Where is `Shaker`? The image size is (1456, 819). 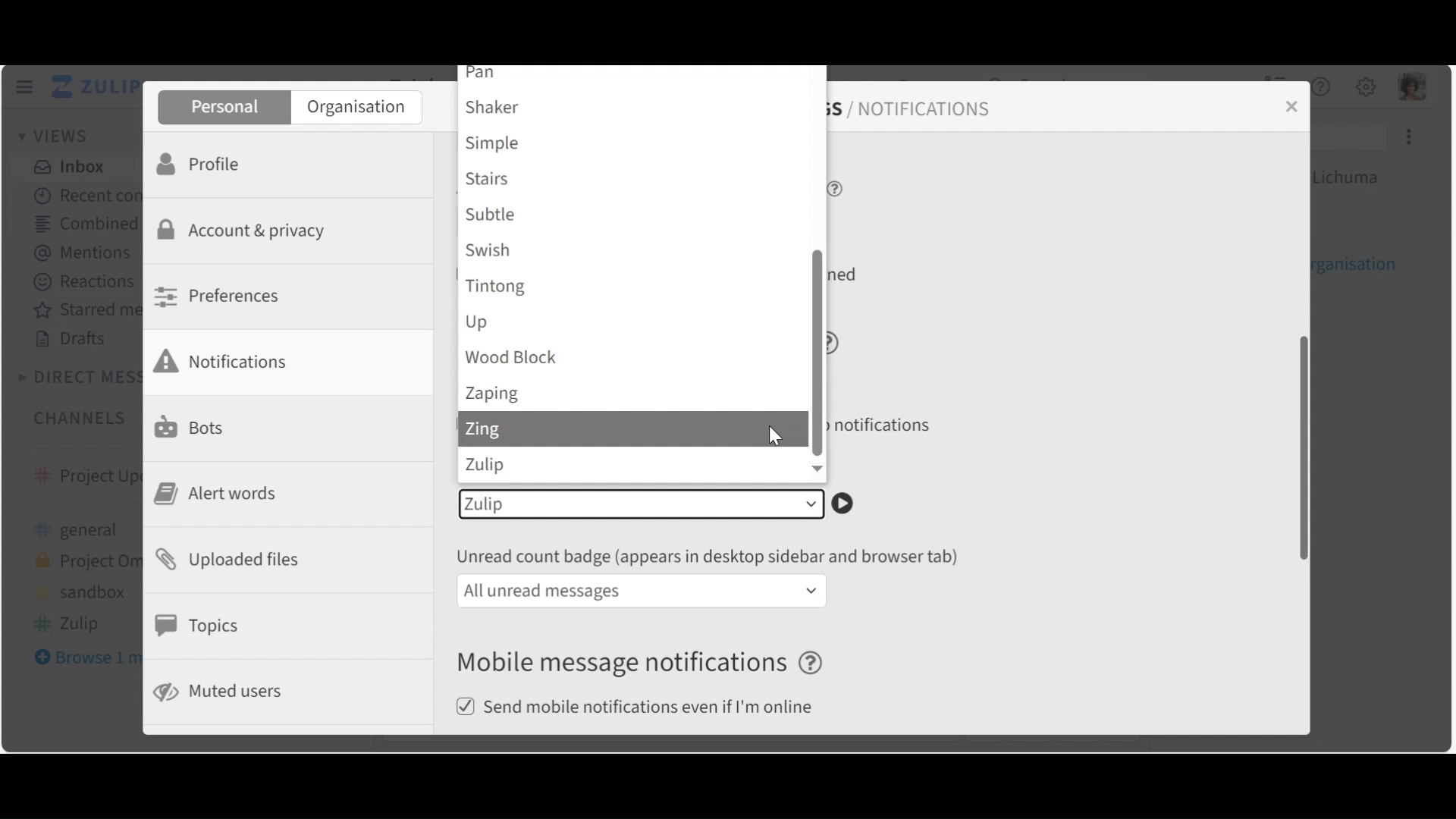
Shaker is located at coordinates (634, 107).